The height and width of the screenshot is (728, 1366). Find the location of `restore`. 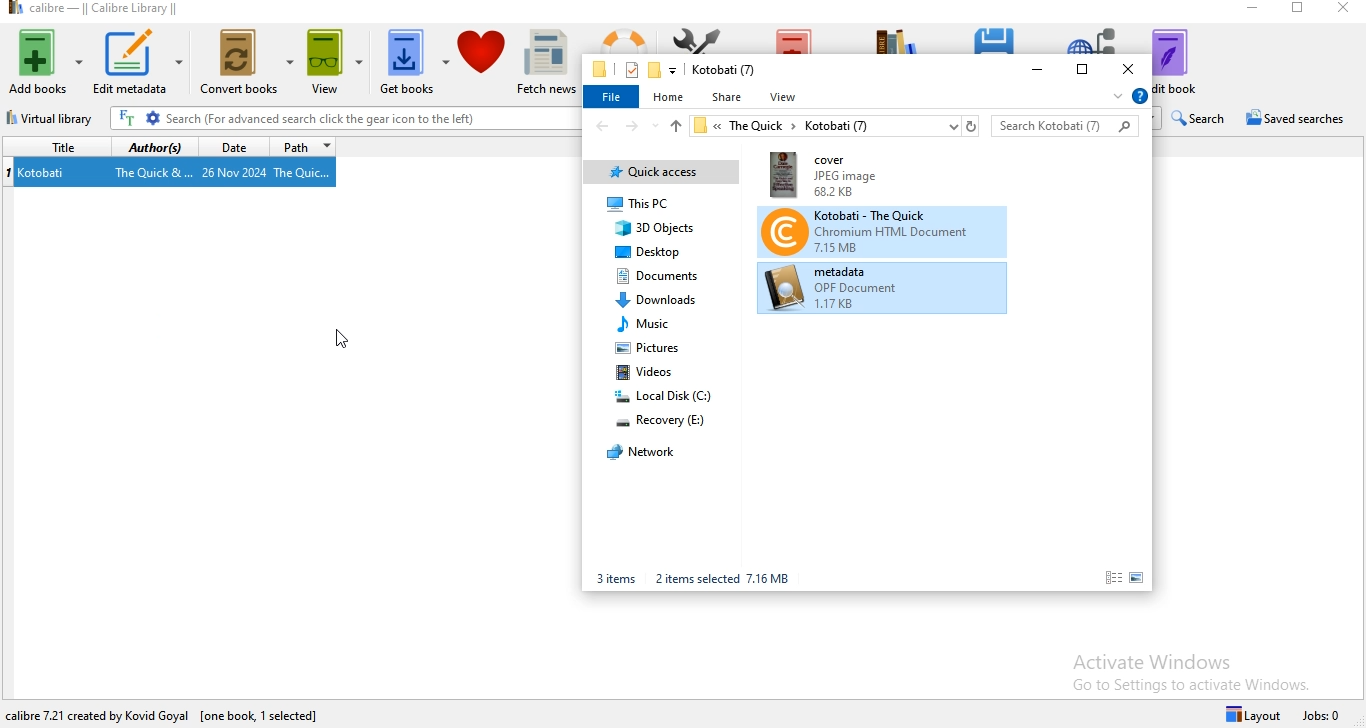

restore is located at coordinates (1082, 70).